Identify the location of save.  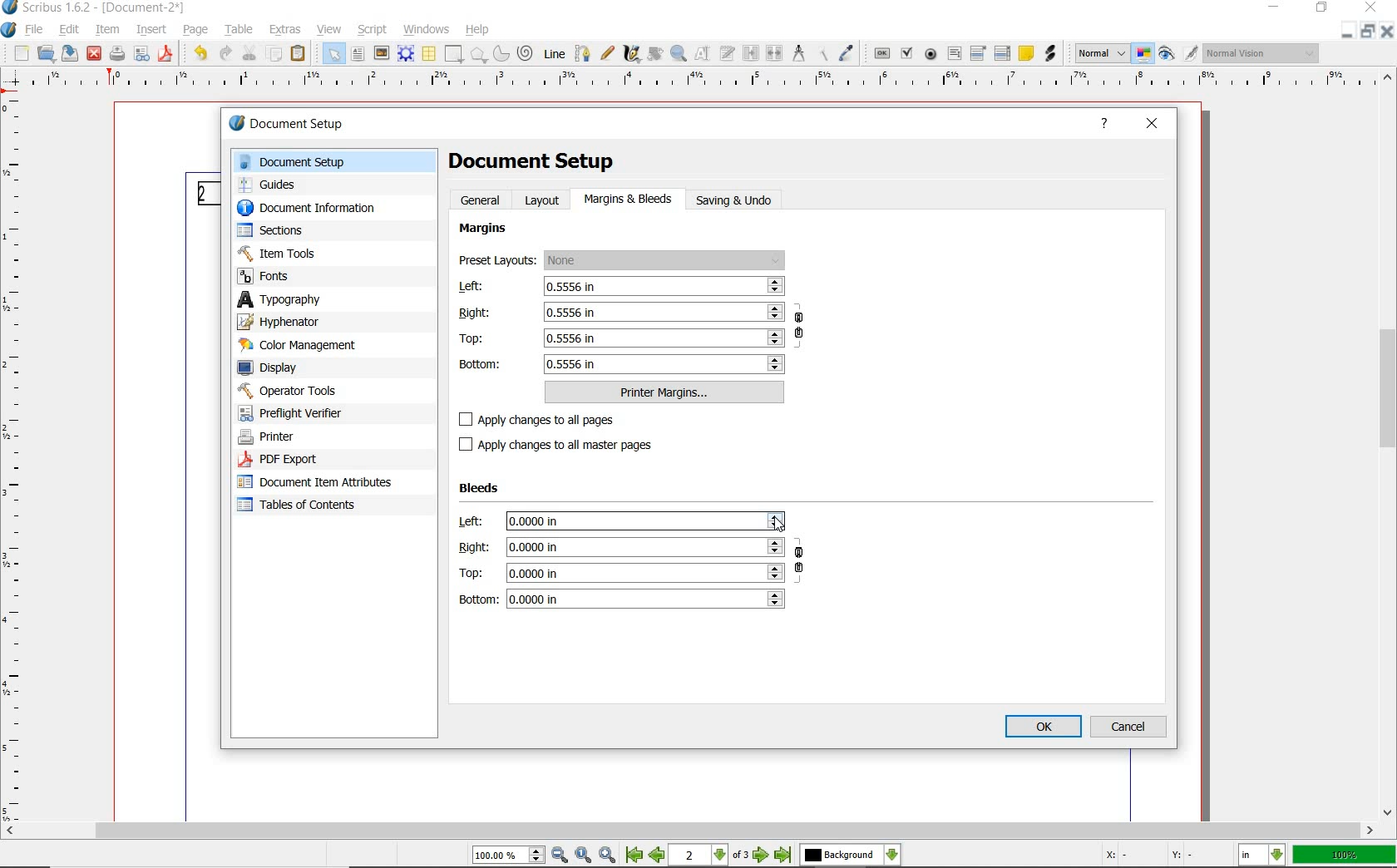
(70, 54).